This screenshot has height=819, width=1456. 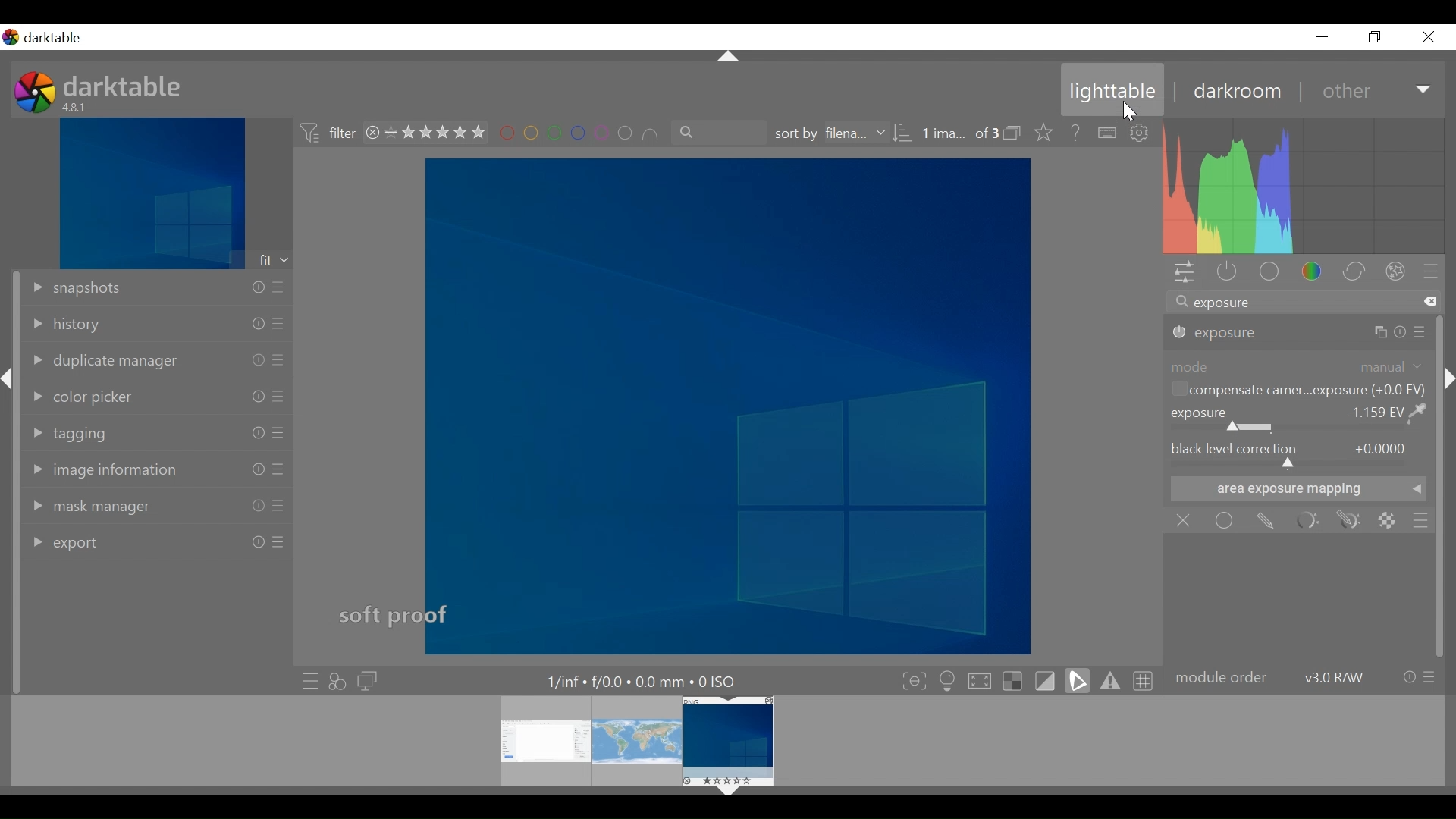 I want to click on show only active modules, so click(x=1229, y=274).